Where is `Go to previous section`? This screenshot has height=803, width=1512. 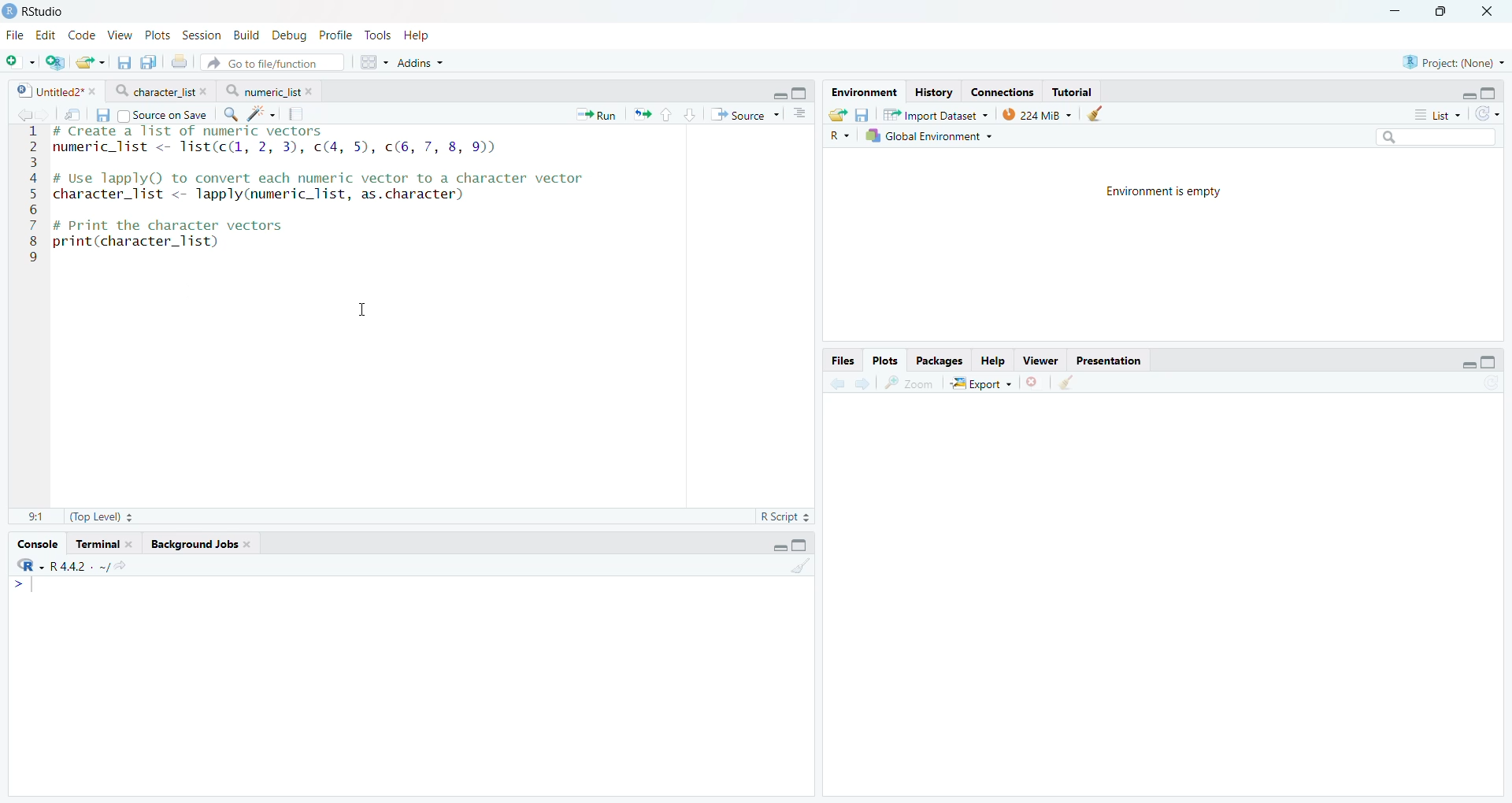 Go to previous section is located at coordinates (668, 113).